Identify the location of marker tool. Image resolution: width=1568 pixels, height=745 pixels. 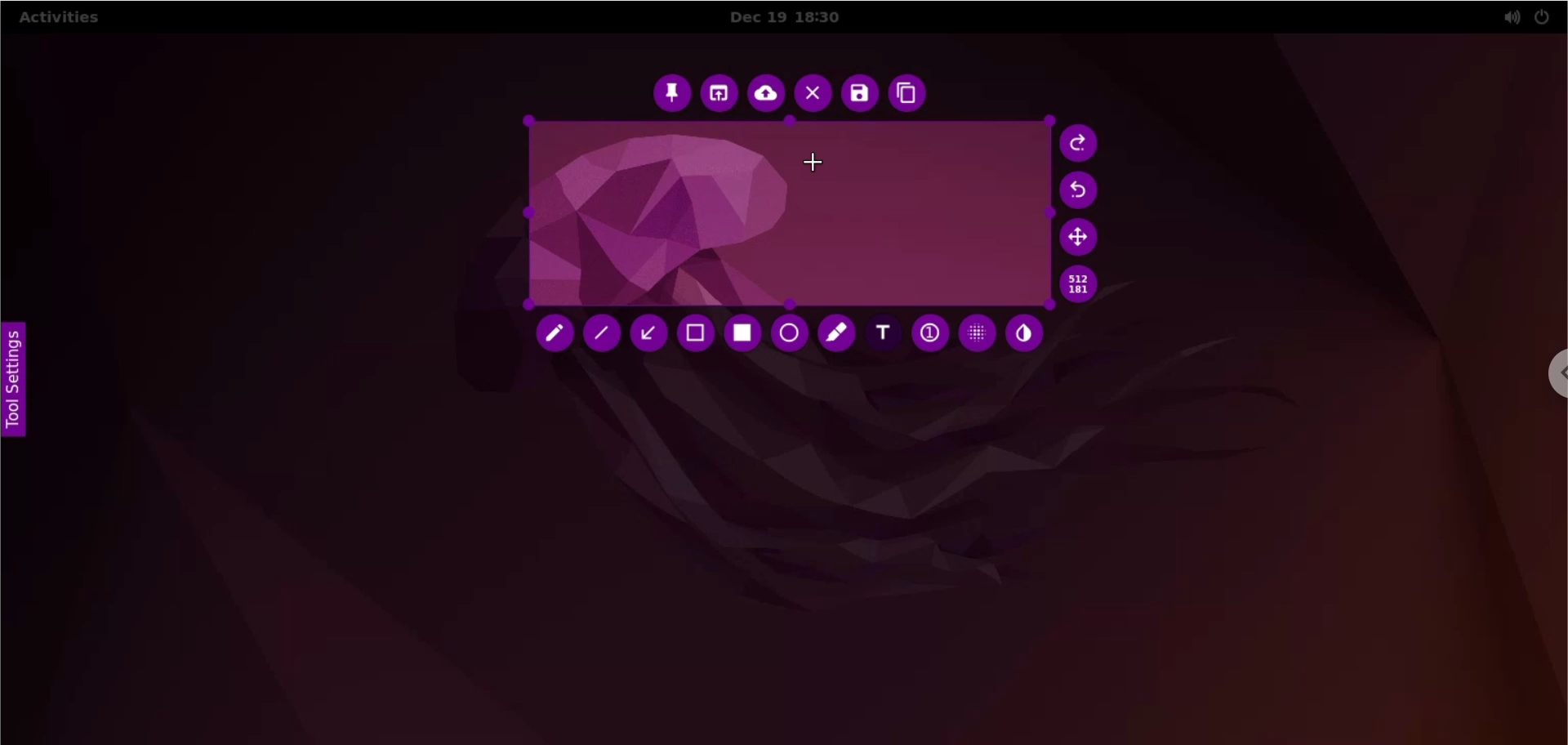
(836, 336).